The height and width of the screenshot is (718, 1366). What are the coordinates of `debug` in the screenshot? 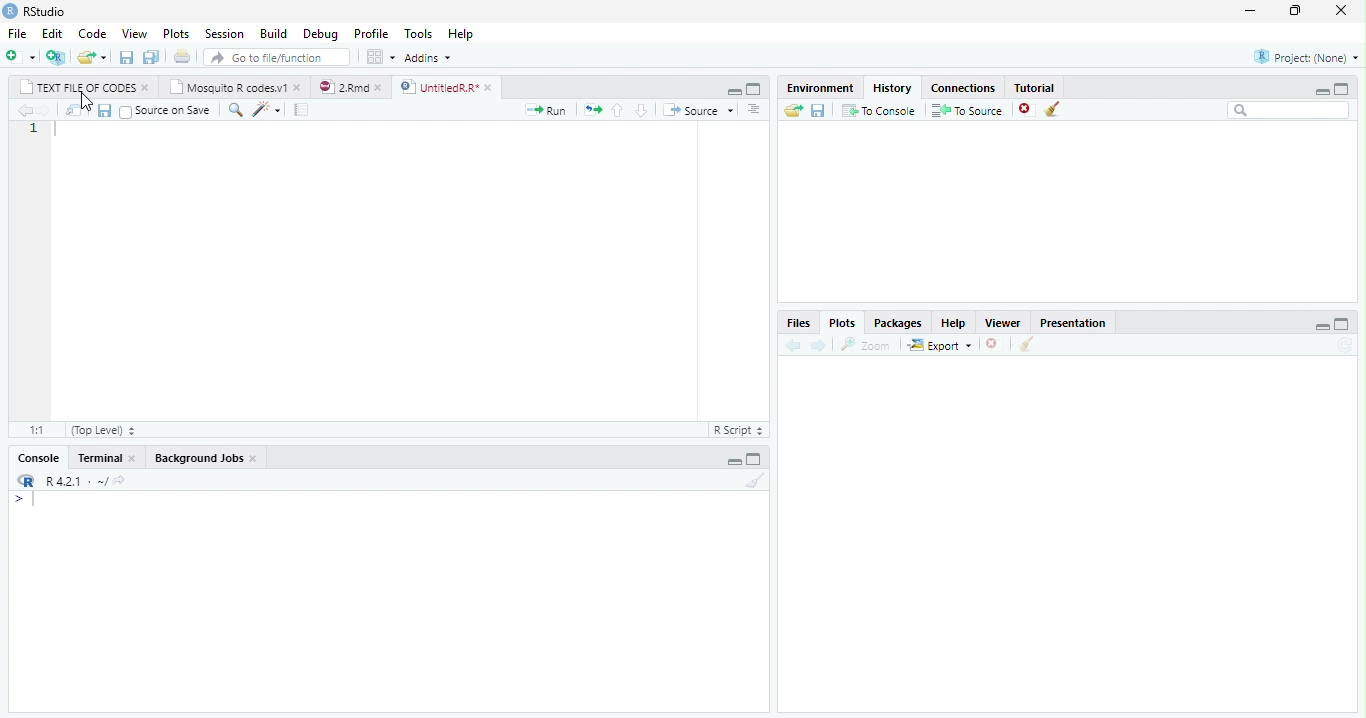 It's located at (320, 33).